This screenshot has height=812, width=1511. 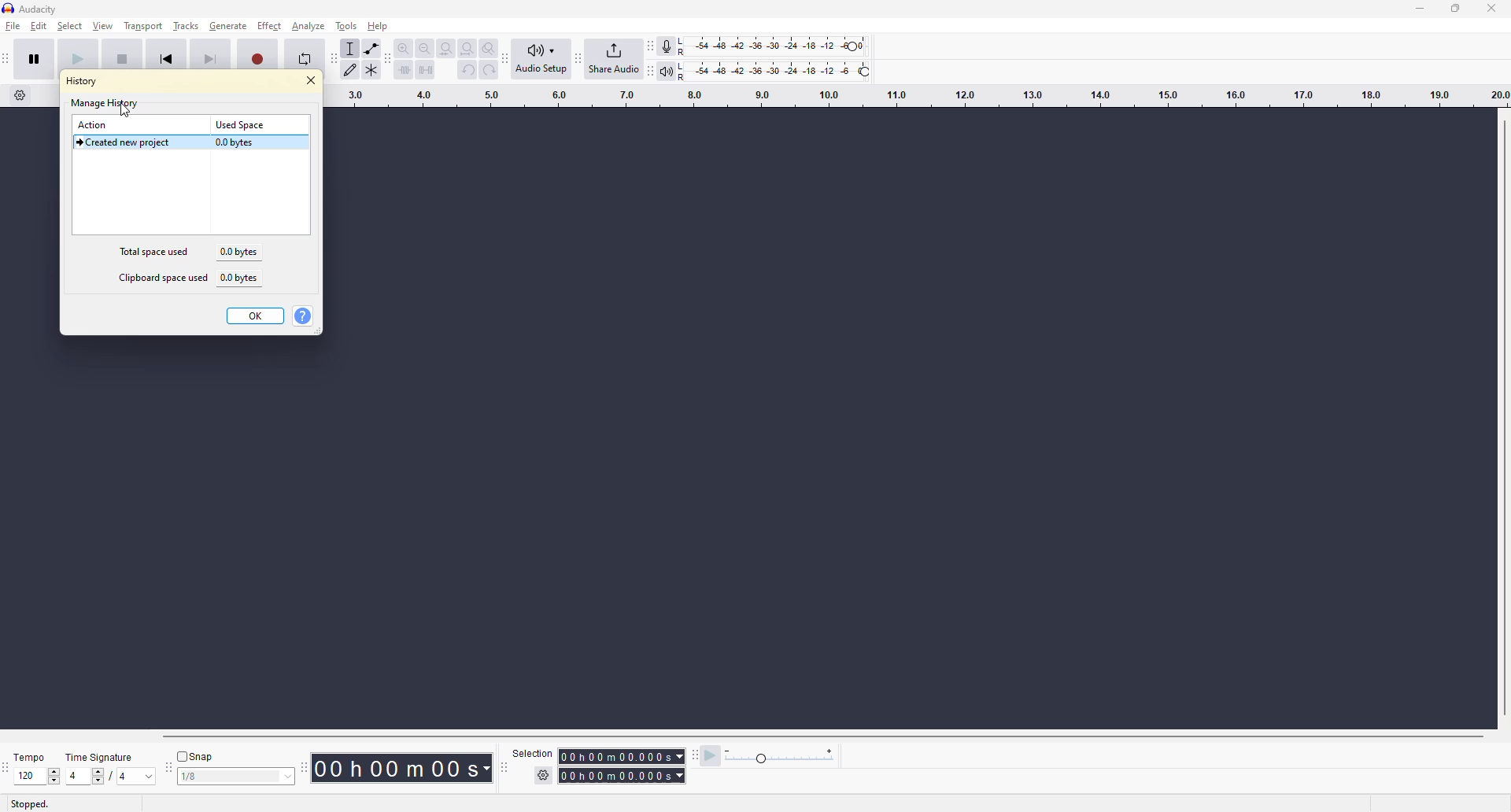 What do you see at coordinates (310, 81) in the screenshot?
I see `close` at bounding box center [310, 81].